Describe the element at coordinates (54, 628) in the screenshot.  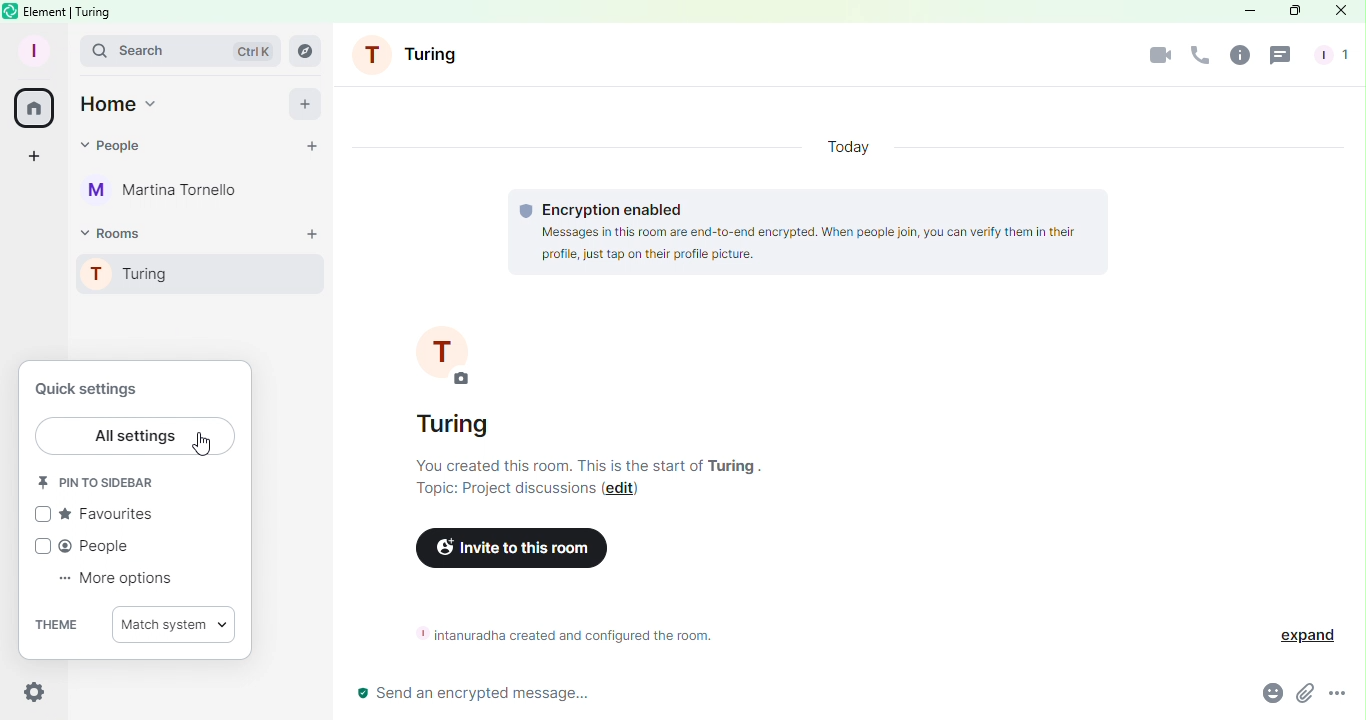
I see `Theme` at that location.